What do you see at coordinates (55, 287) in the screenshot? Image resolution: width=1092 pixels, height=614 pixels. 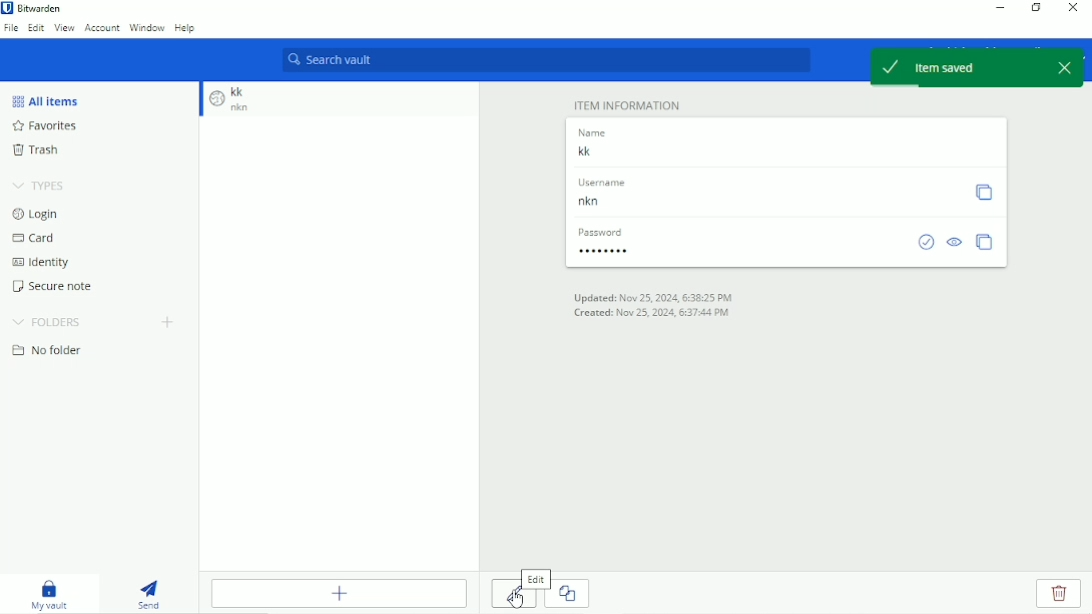 I see `Secure note` at bounding box center [55, 287].